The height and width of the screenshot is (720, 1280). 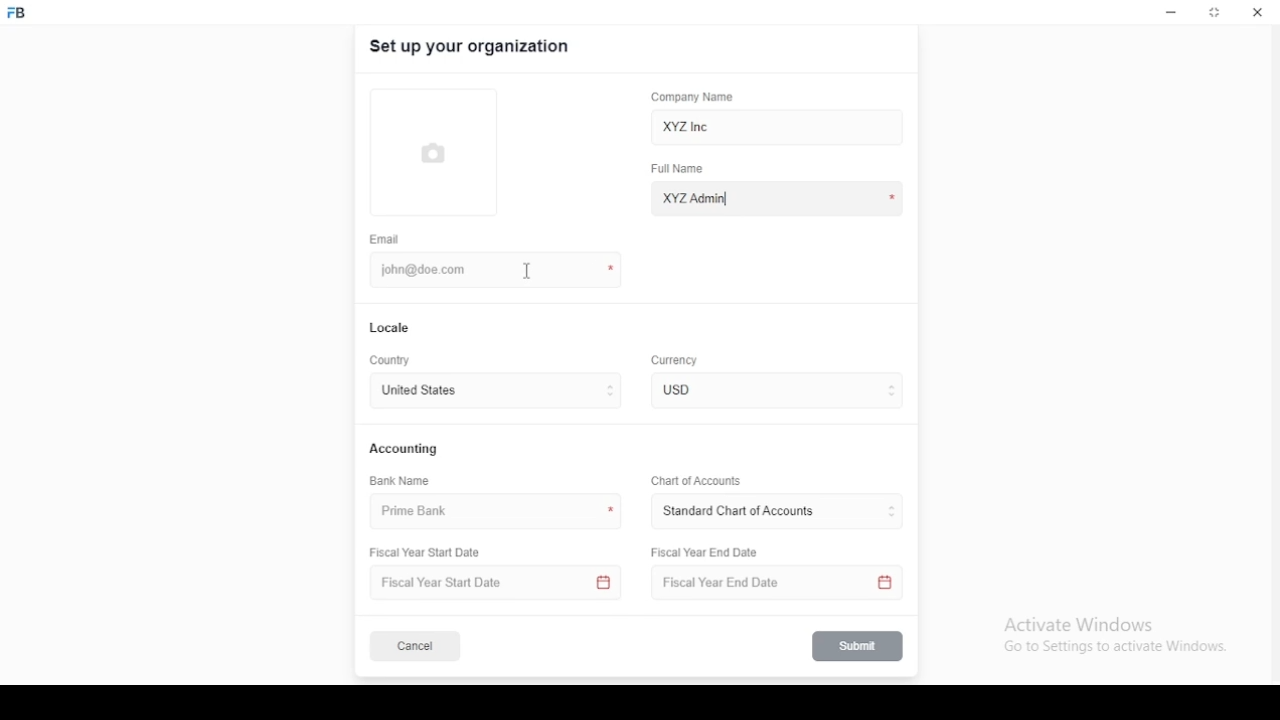 What do you see at coordinates (675, 361) in the screenshot?
I see `Currency` at bounding box center [675, 361].